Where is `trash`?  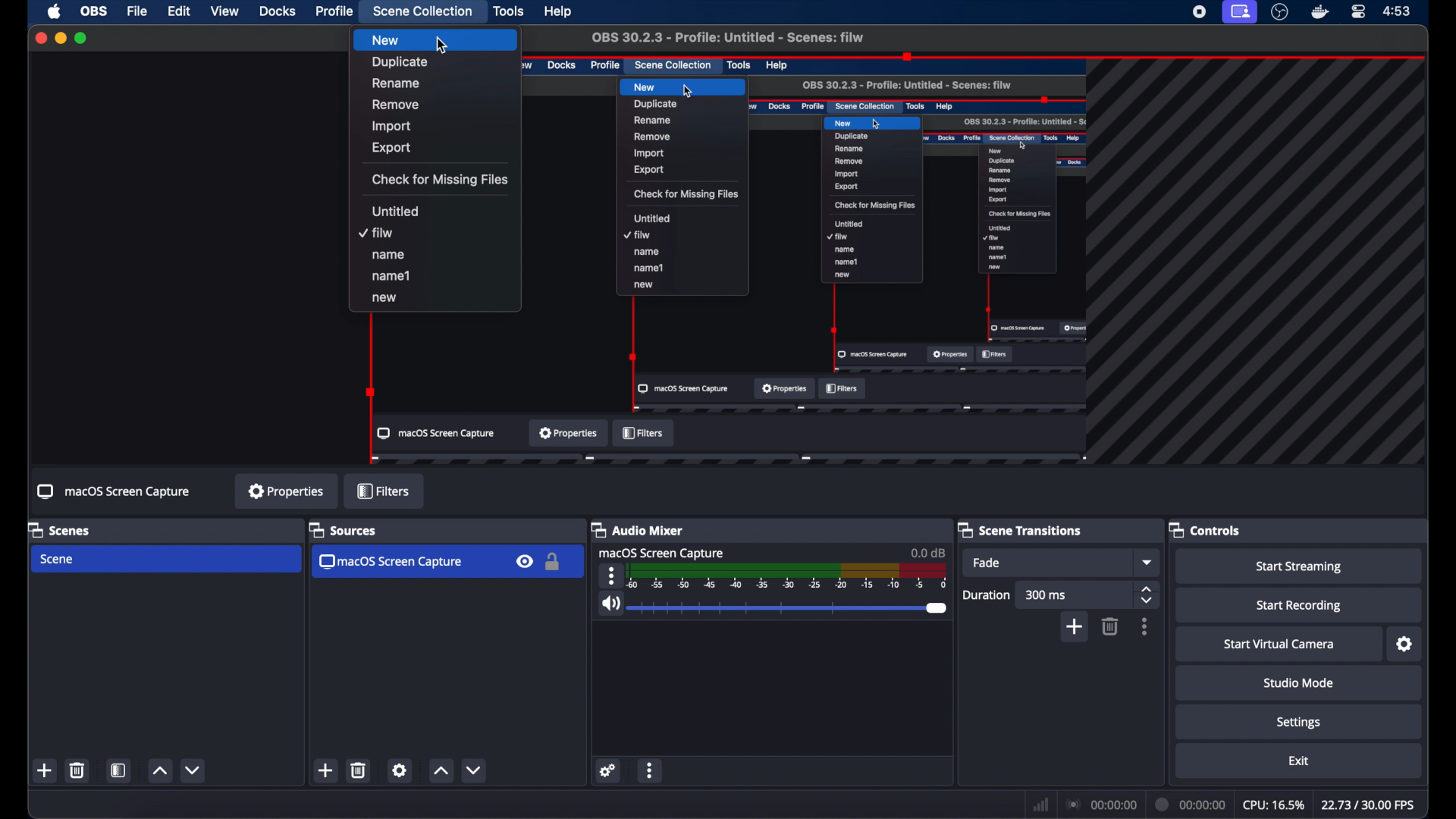
trash is located at coordinates (358, 770).